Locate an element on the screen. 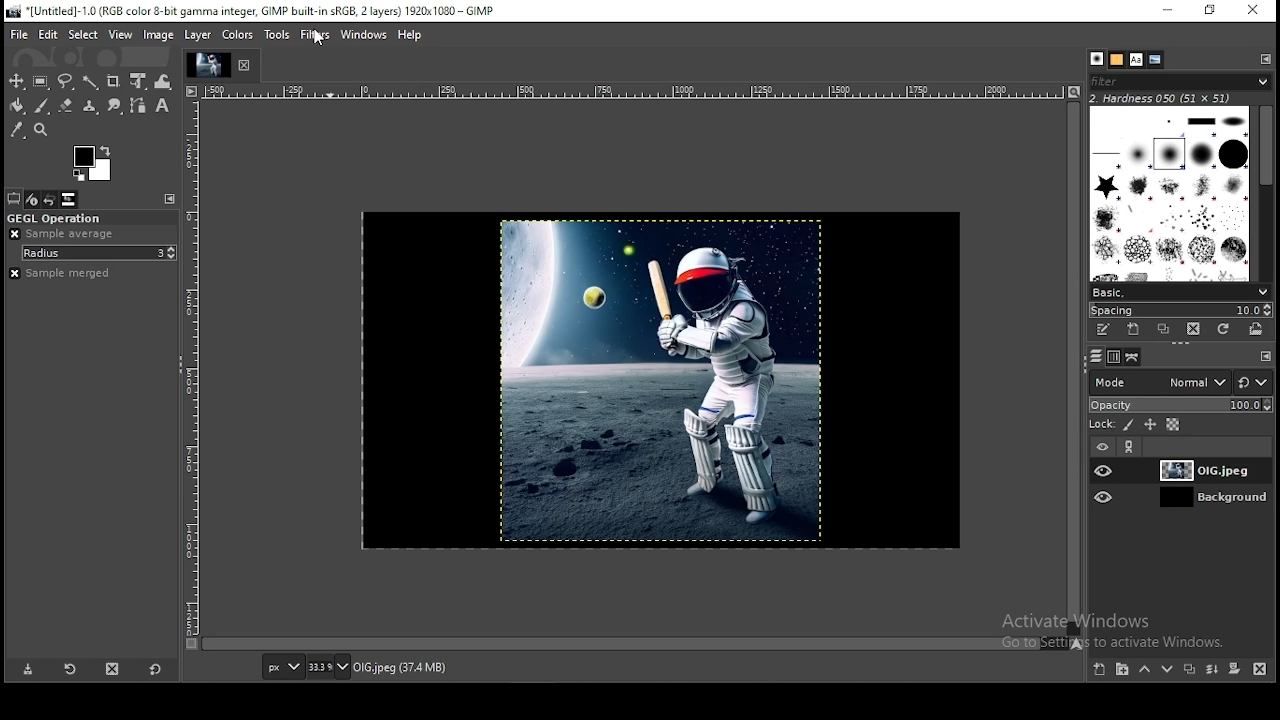 Image resolution: width=1280 pixels, height=720 pixels. view is located at coordinates (122, 34).